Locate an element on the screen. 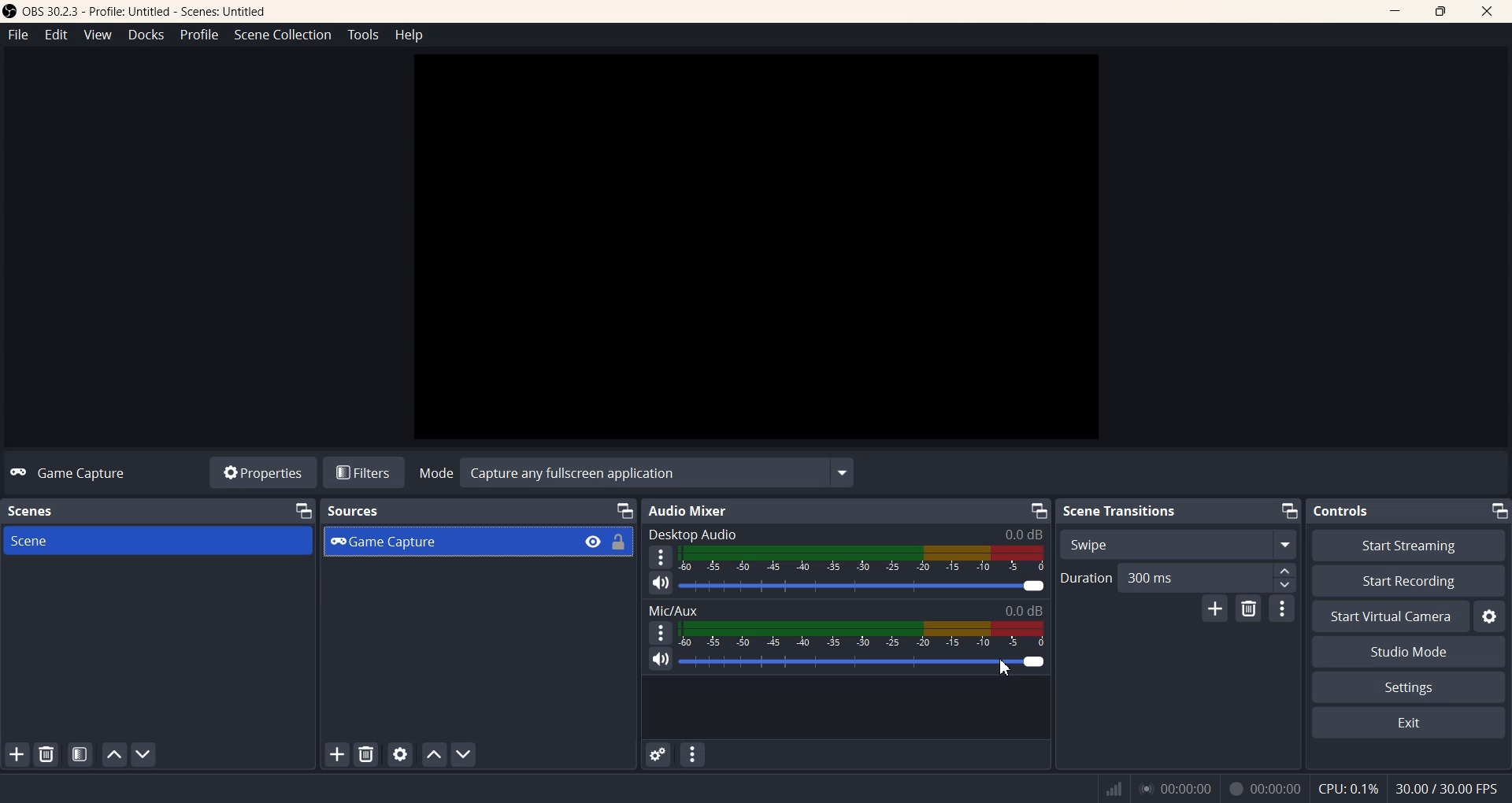 The height and width of the screenshot is (803, 1512). Audio Mixer menu is located at coordinates (691, 756).